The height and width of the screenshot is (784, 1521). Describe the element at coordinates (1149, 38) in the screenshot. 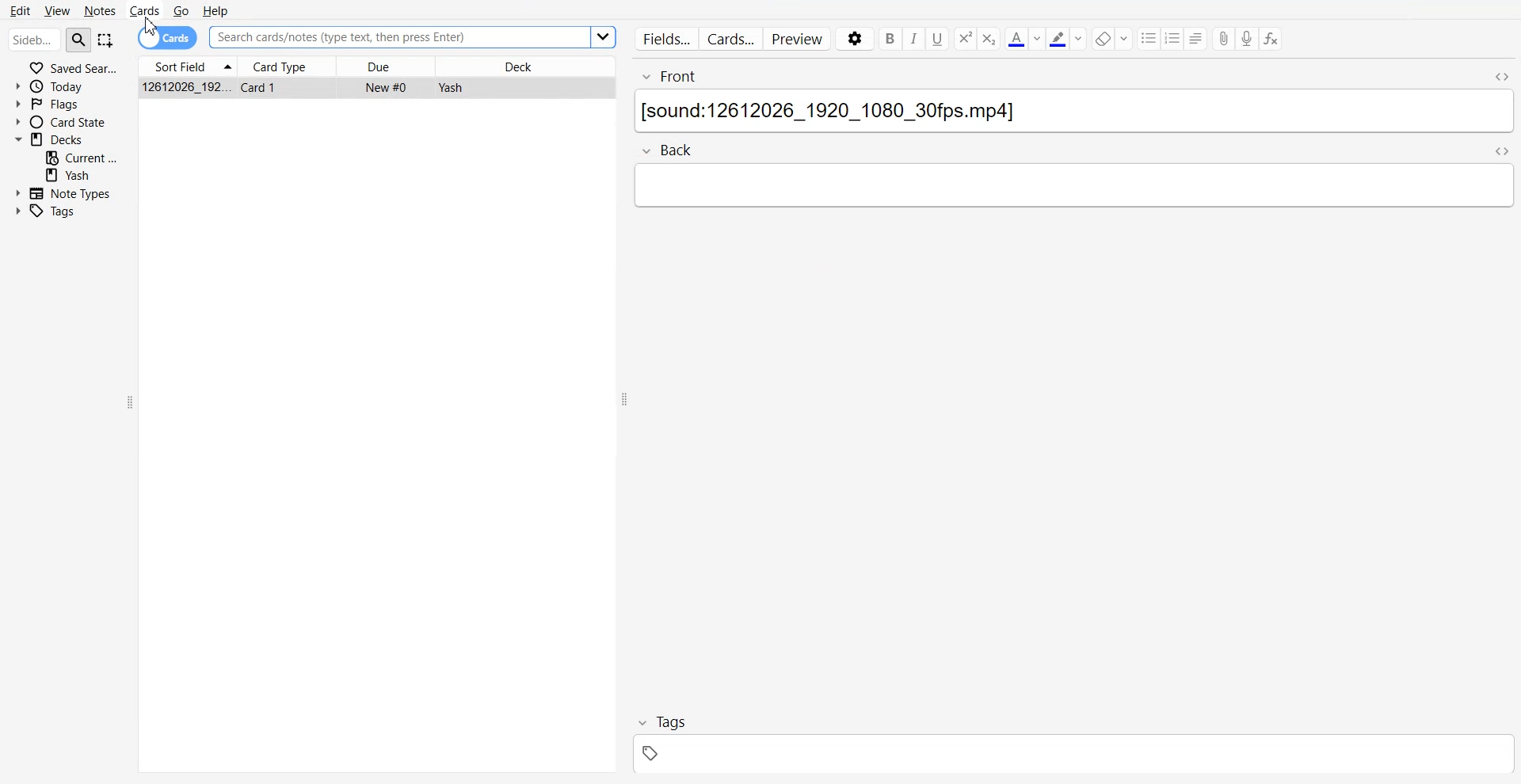

I see `unordered list` at that location.